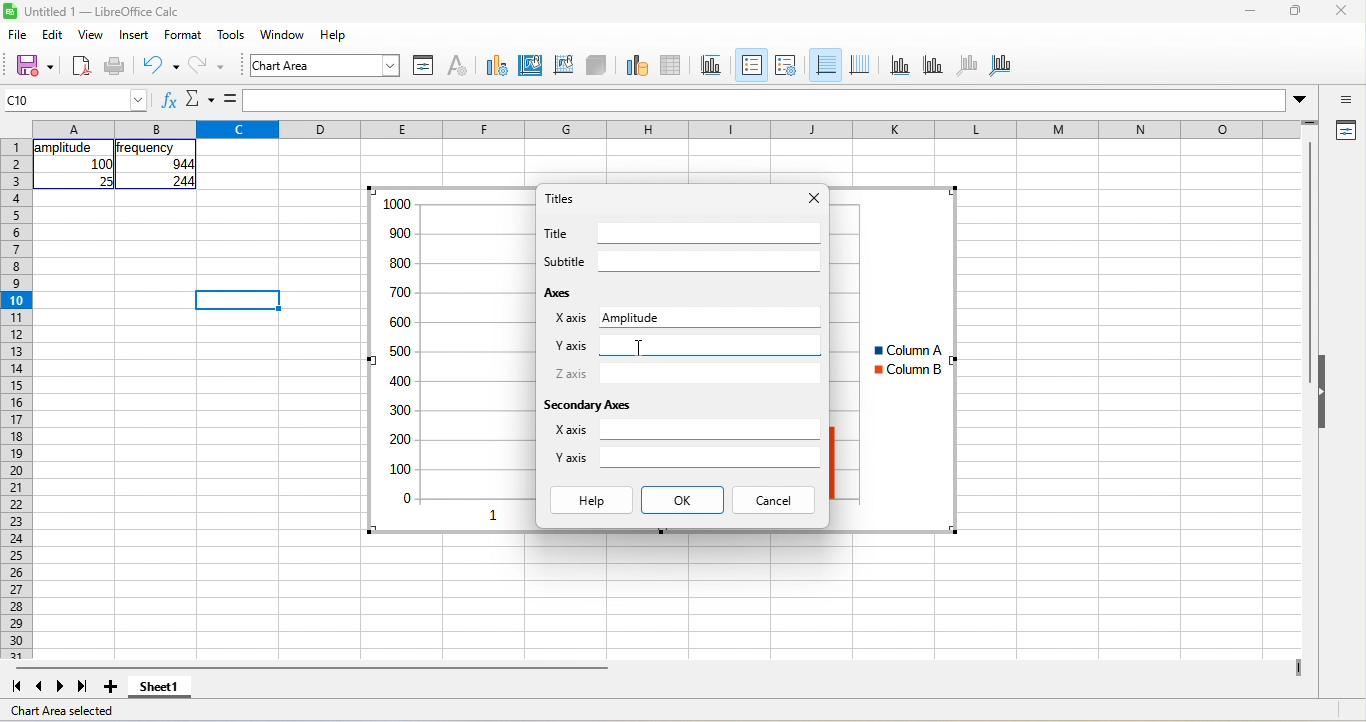 The width and height of the screenshot is (1366, 722). Describe the element at coordinates (1250, 10) in the screenshot. I see `minimize` at that location.